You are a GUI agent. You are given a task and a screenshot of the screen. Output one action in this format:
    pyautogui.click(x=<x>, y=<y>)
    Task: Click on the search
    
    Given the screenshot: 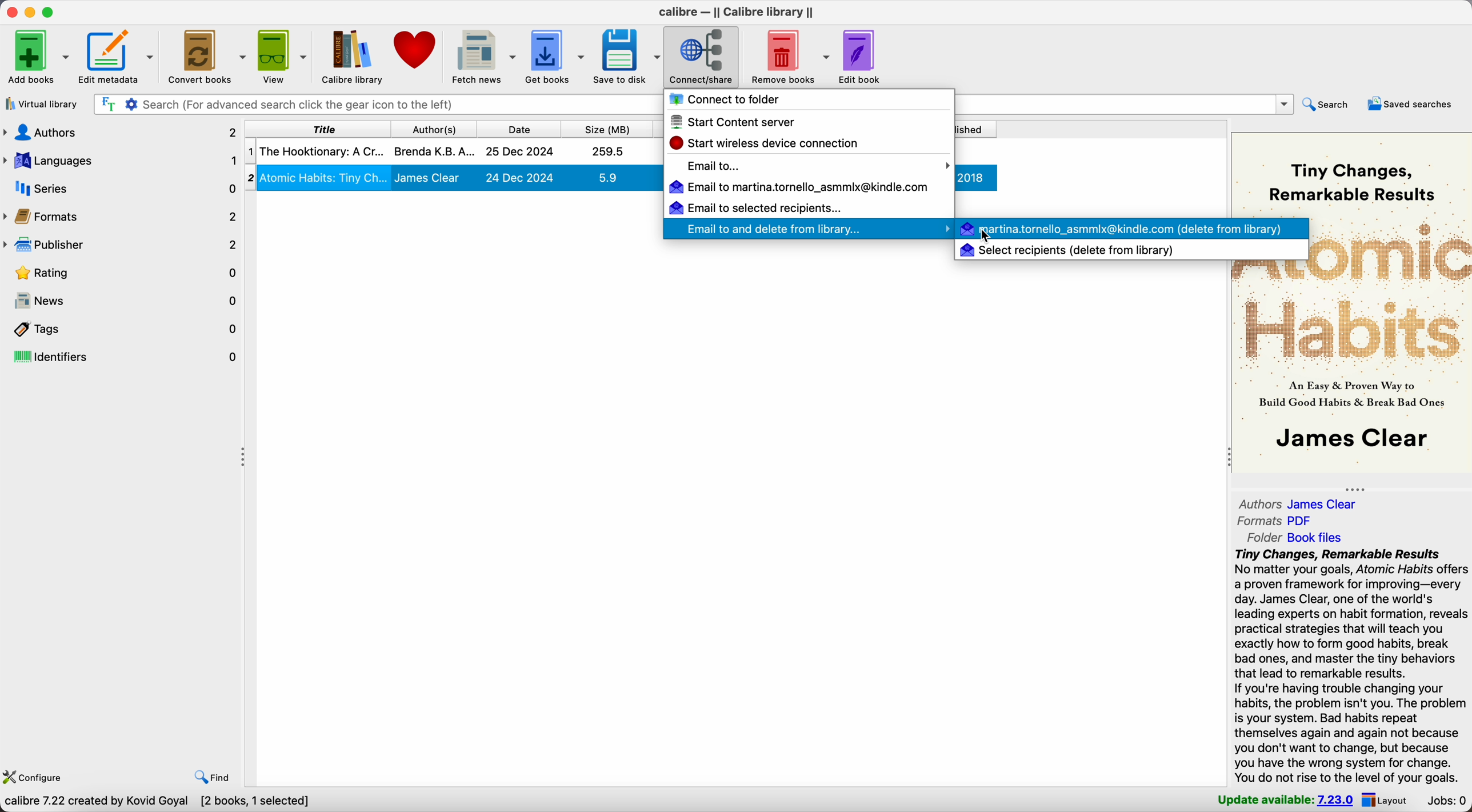 What is the action you would take?
    pyautogui.click(x=1330, y=105)
    